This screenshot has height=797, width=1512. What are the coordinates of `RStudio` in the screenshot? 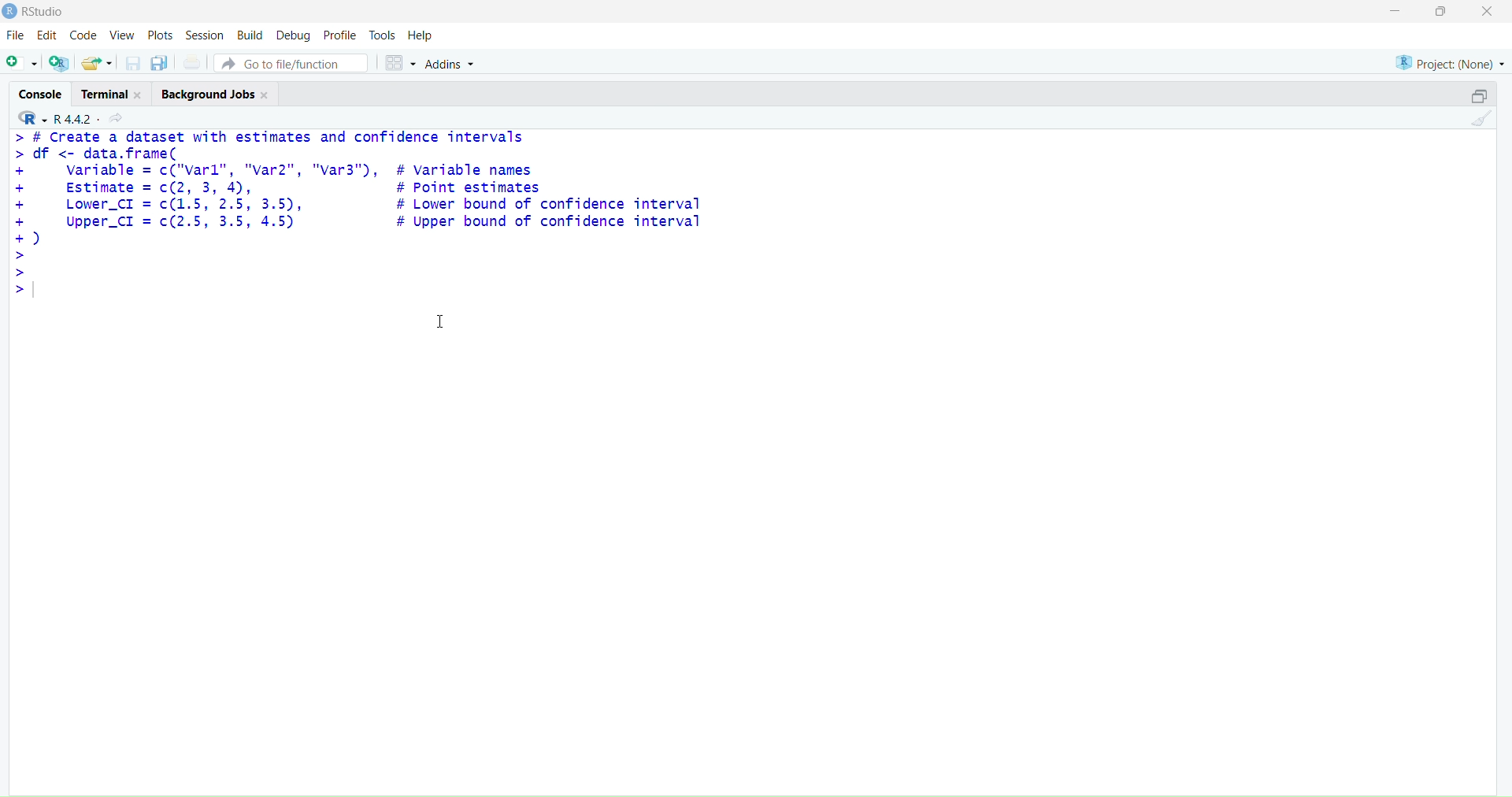 It's located at (40, 12).